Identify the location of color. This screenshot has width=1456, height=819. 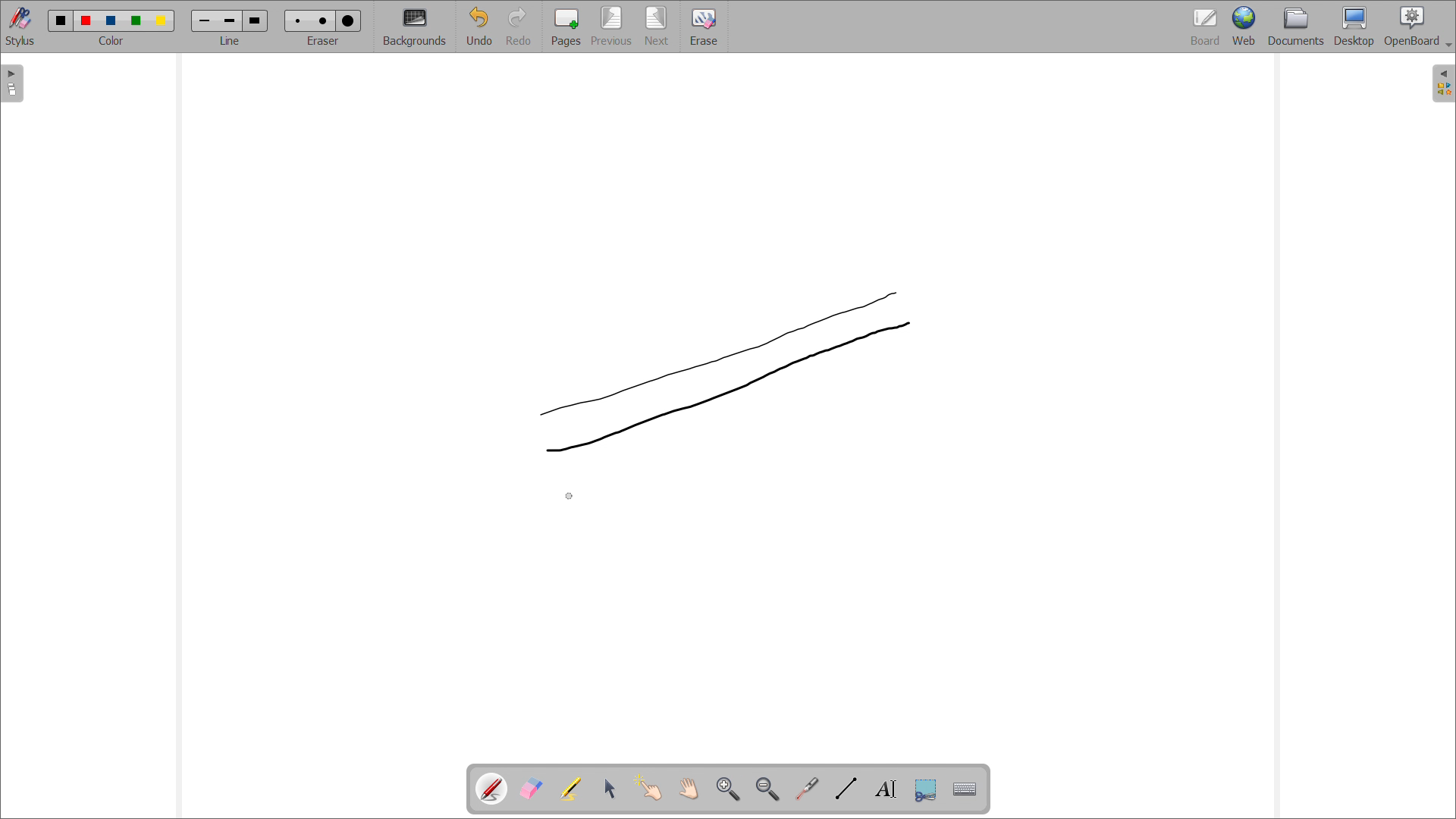
(88, 20).